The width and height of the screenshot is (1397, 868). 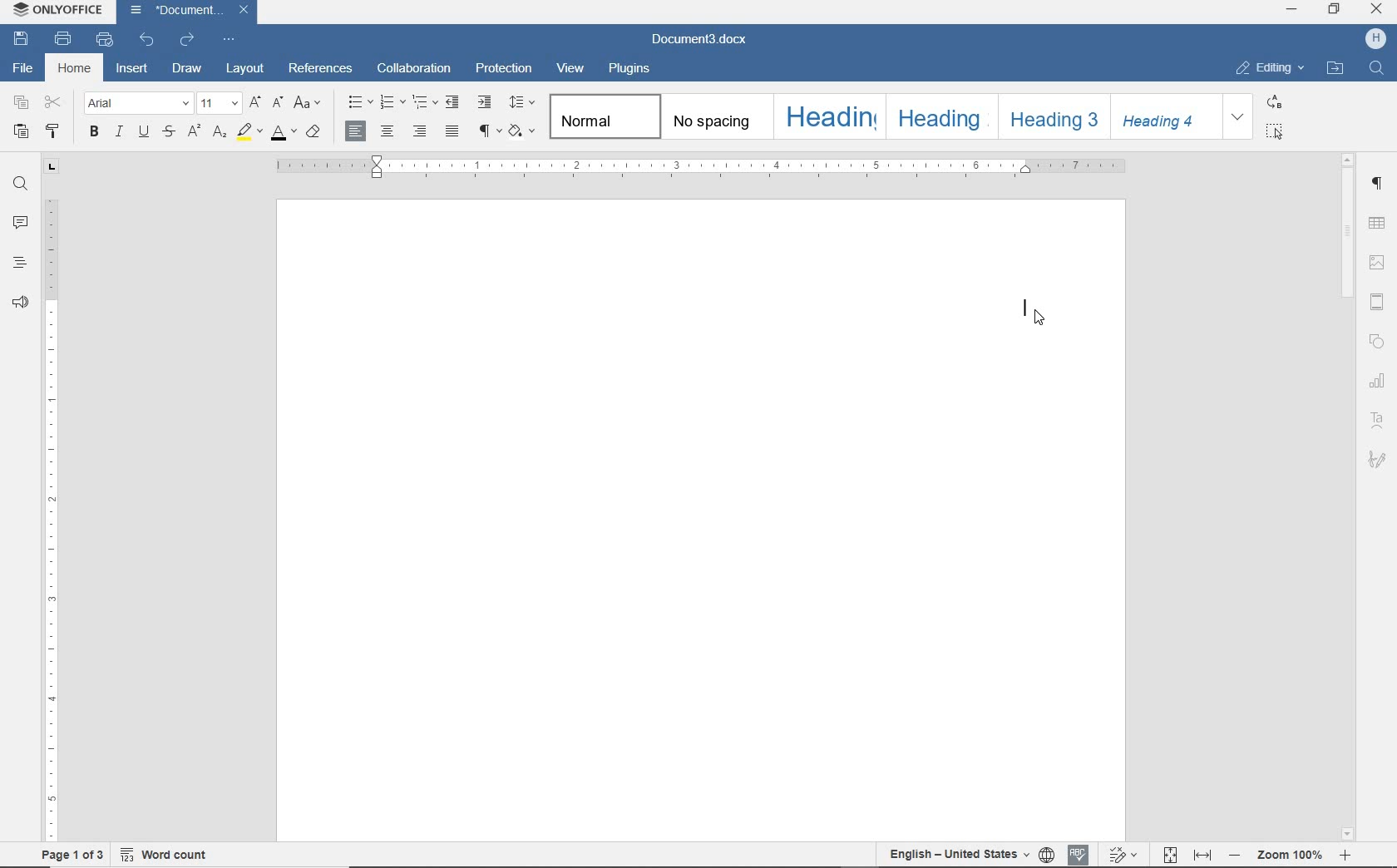 I want to click on PRINT, so click(x=64, y=39).